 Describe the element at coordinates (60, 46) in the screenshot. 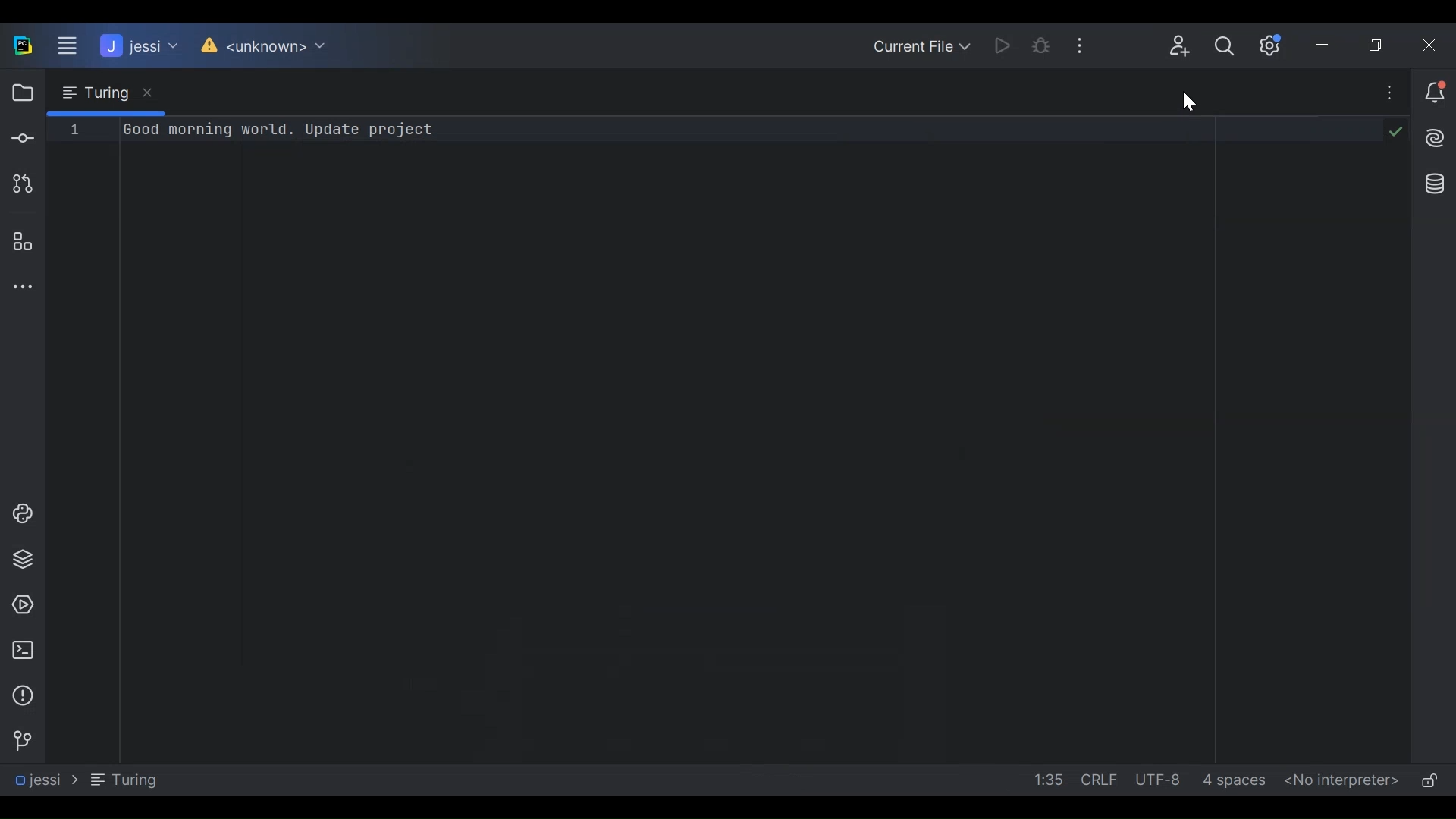

I see `Main Menu` at that location.